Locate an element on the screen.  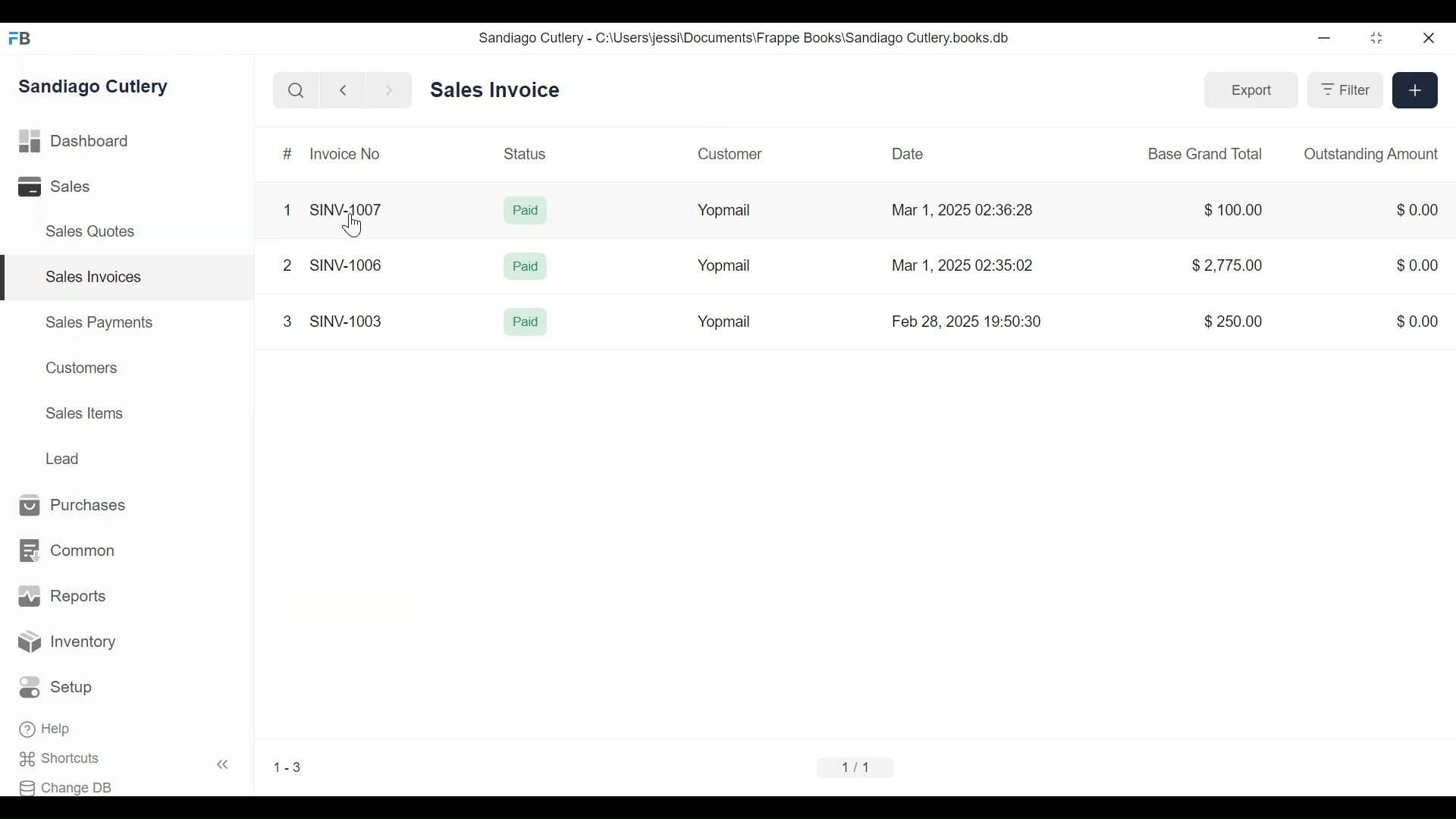
SINV-1006 is located at coordinates (346, 265).